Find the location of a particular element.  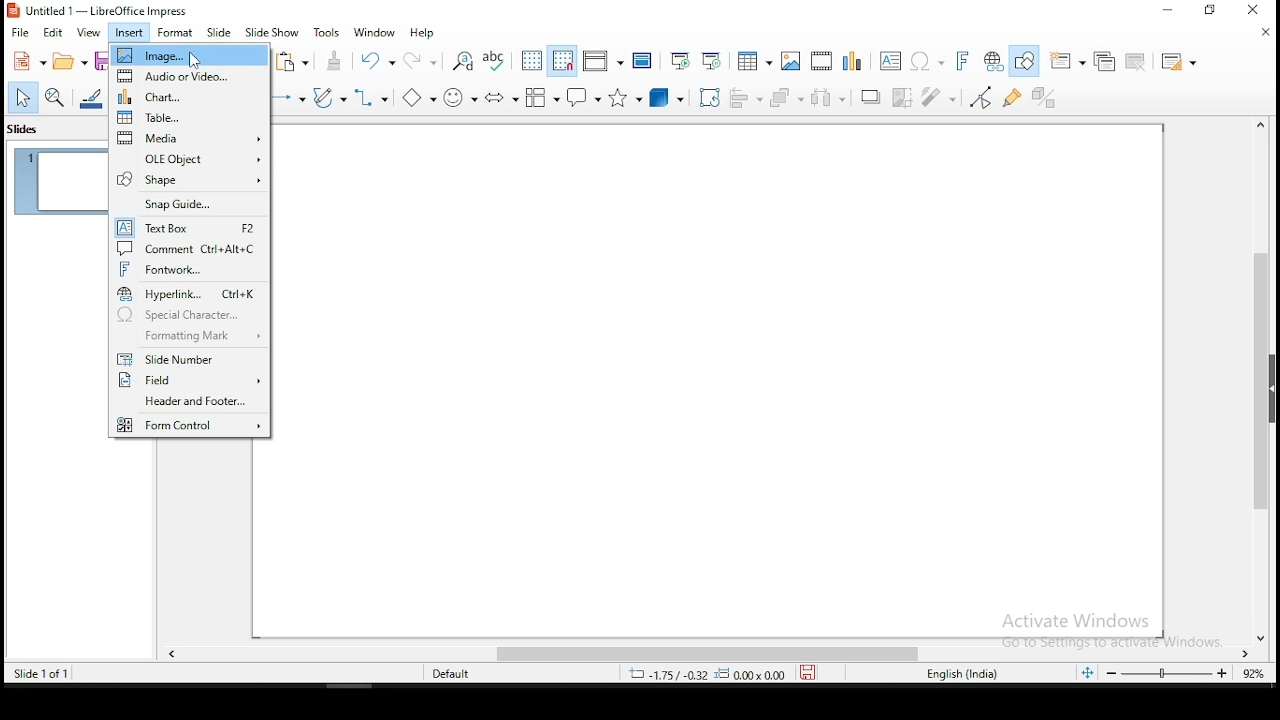

scroll right is located at coordinates (1247, 655).